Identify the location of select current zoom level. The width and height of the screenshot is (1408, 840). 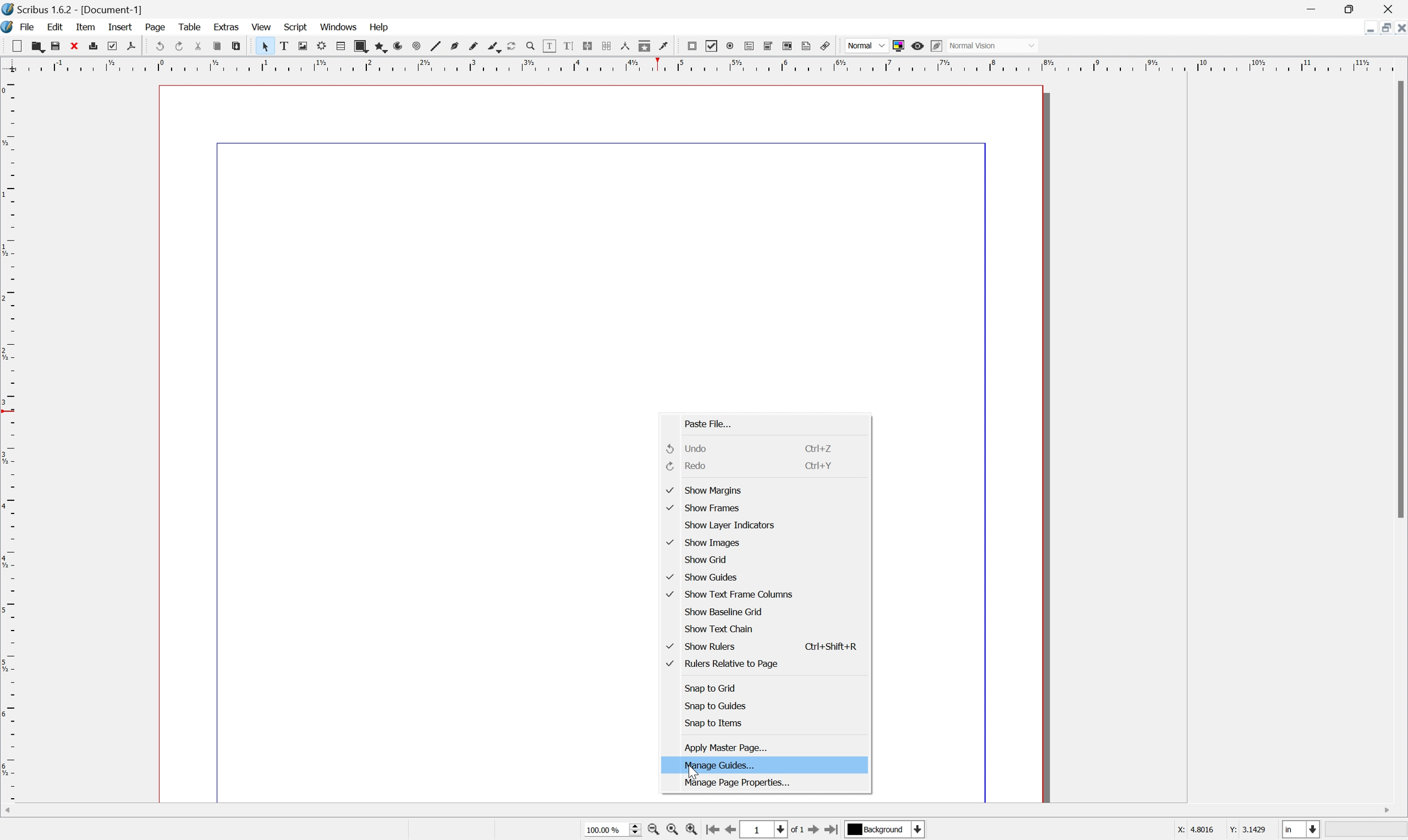
(613, 830).